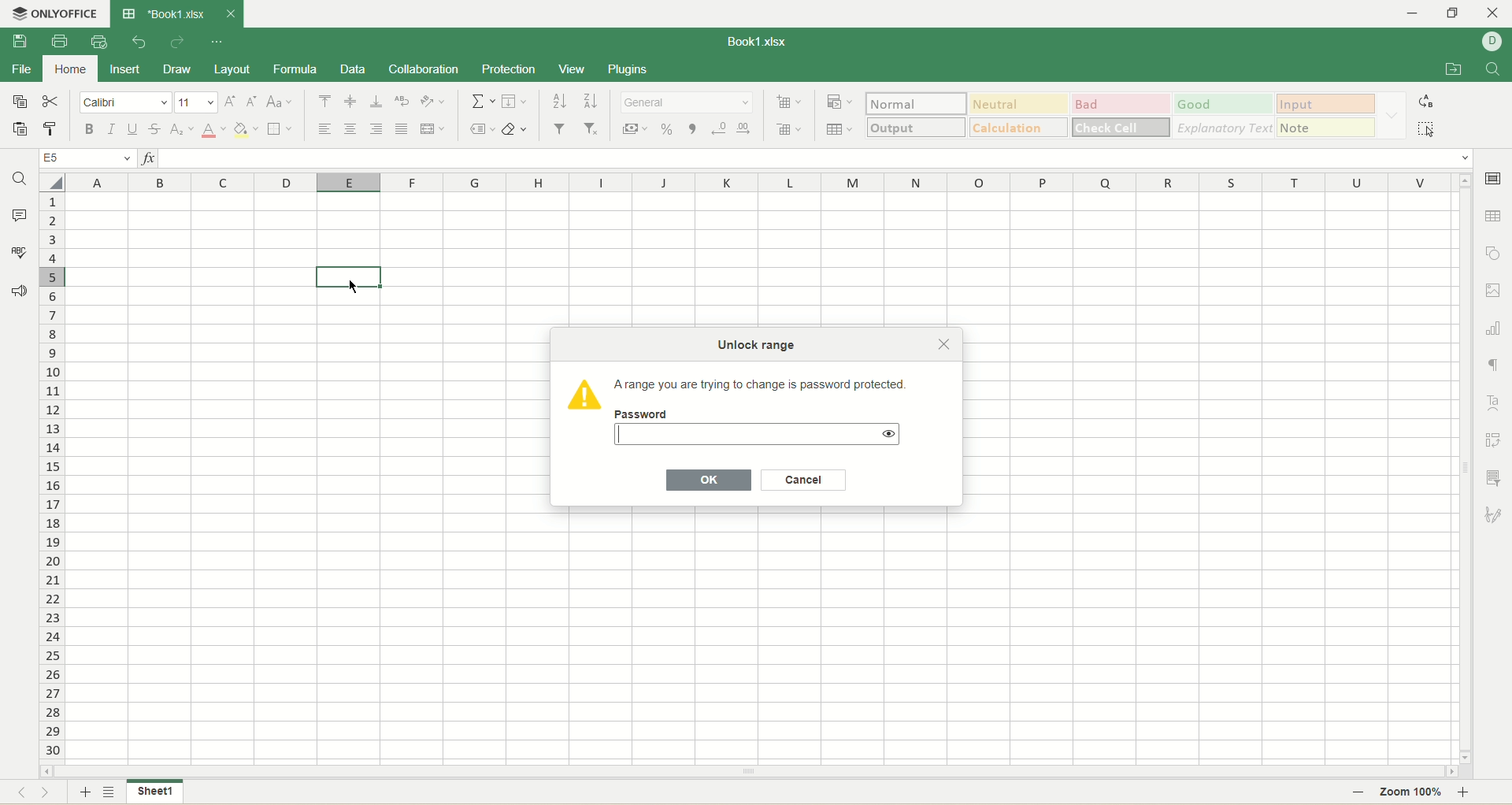  I want to click on find, so click(1494, 69).